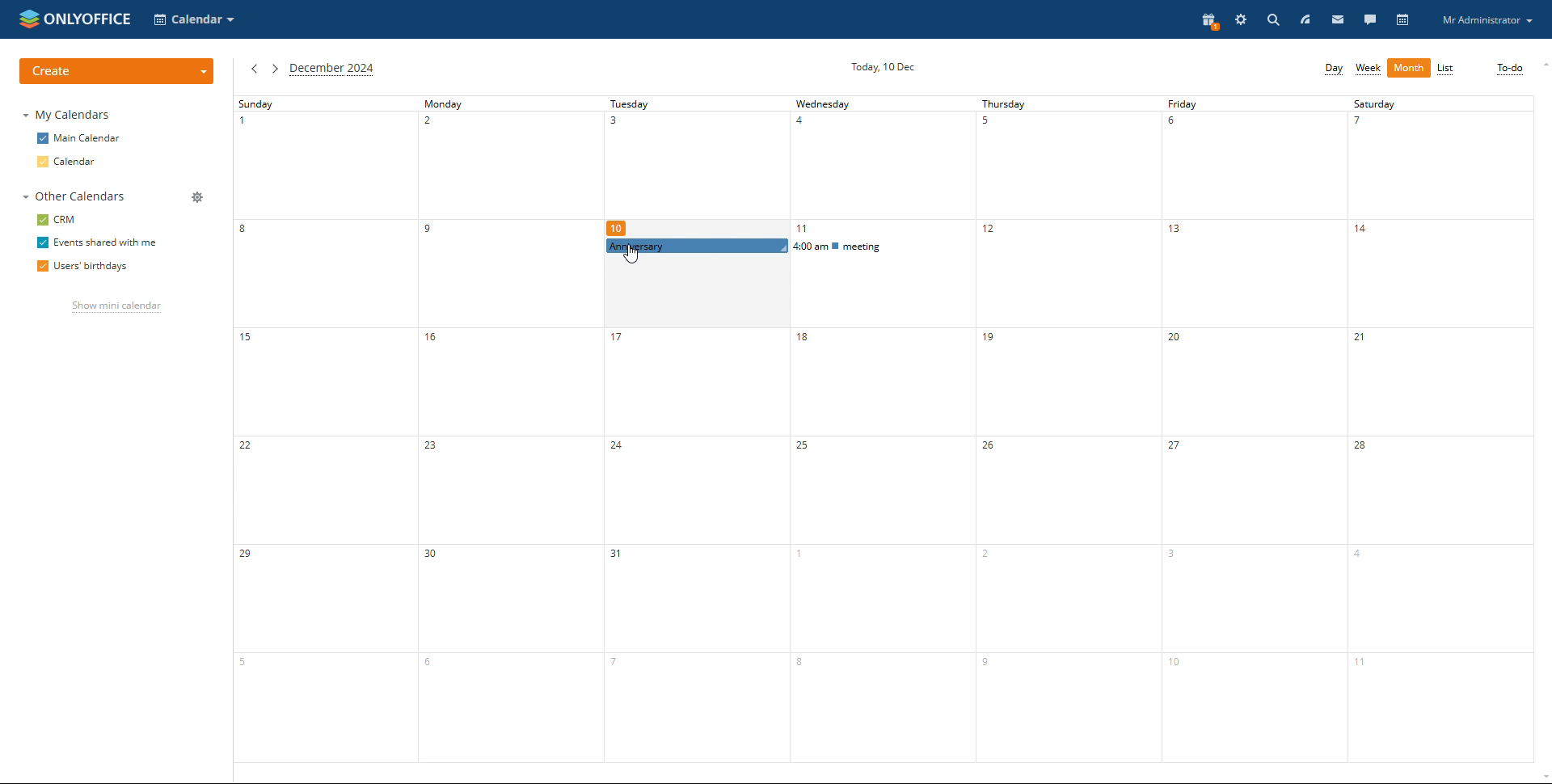  I want to click on wednesday, so click(881, 512).